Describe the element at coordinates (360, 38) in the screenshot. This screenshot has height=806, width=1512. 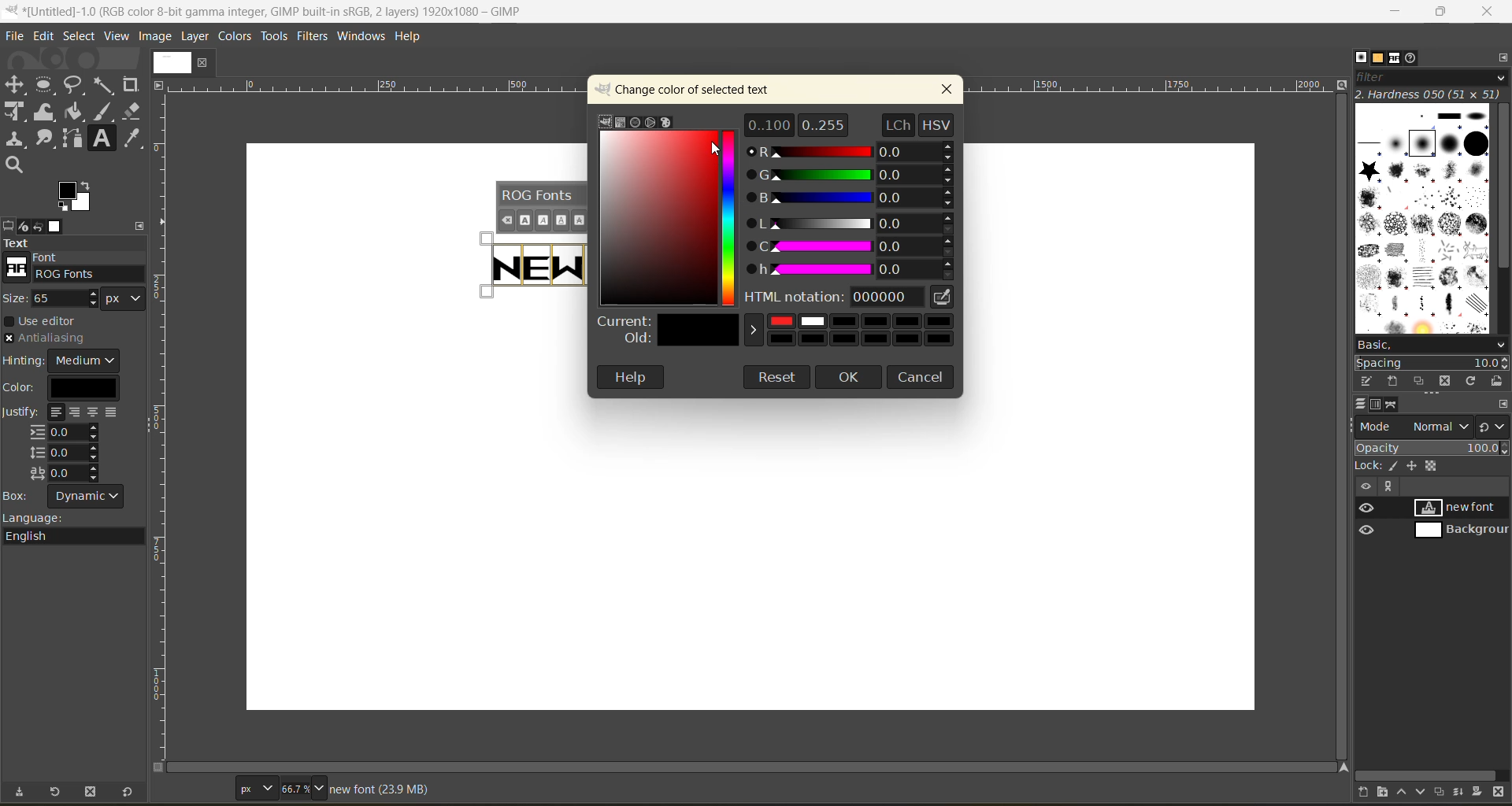
I see `windows` at that location.